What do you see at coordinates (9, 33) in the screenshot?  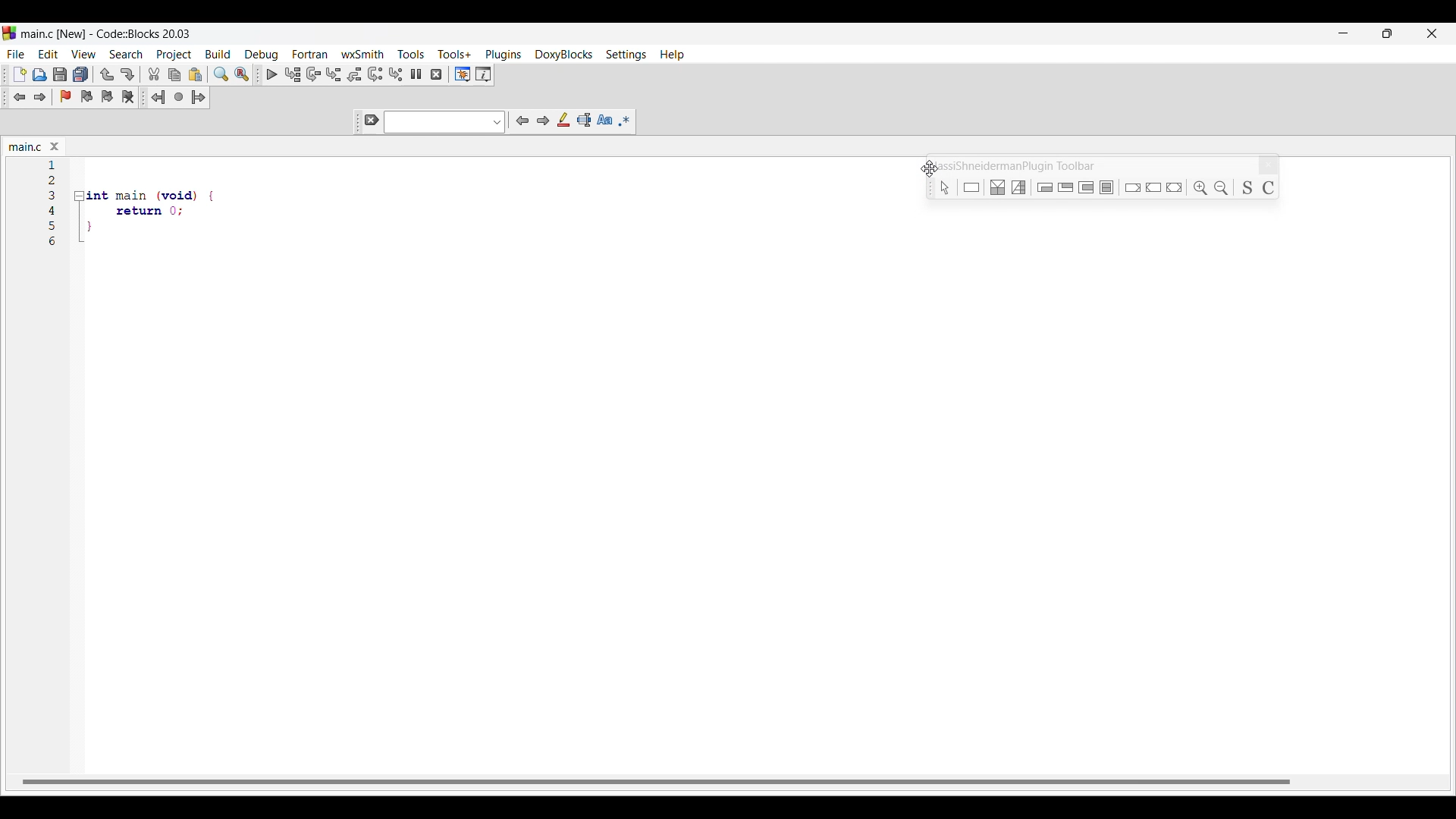 I see `Software logo` at bounding box center [9, 33].